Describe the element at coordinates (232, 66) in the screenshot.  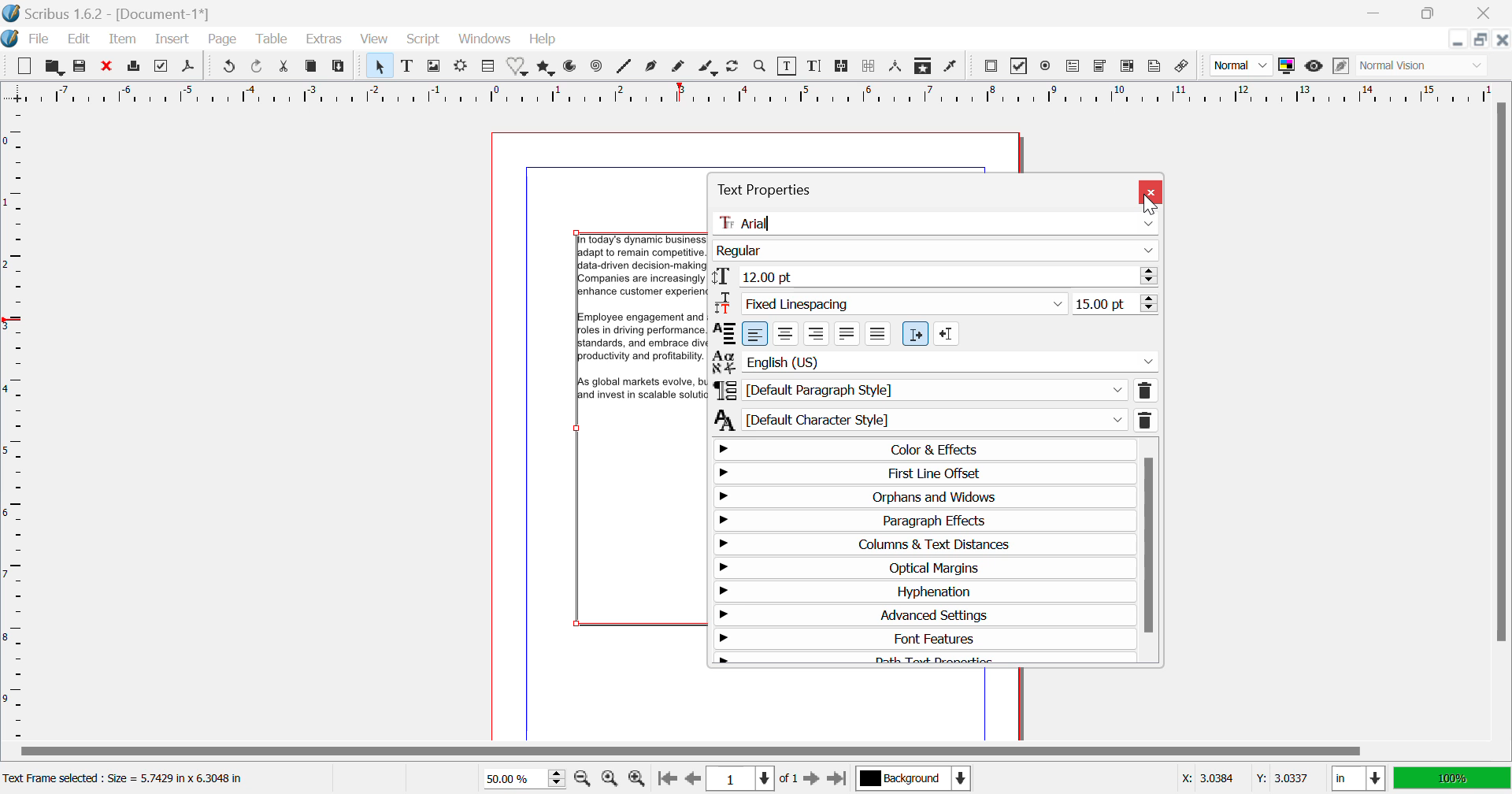
I see `Redo` at that location.